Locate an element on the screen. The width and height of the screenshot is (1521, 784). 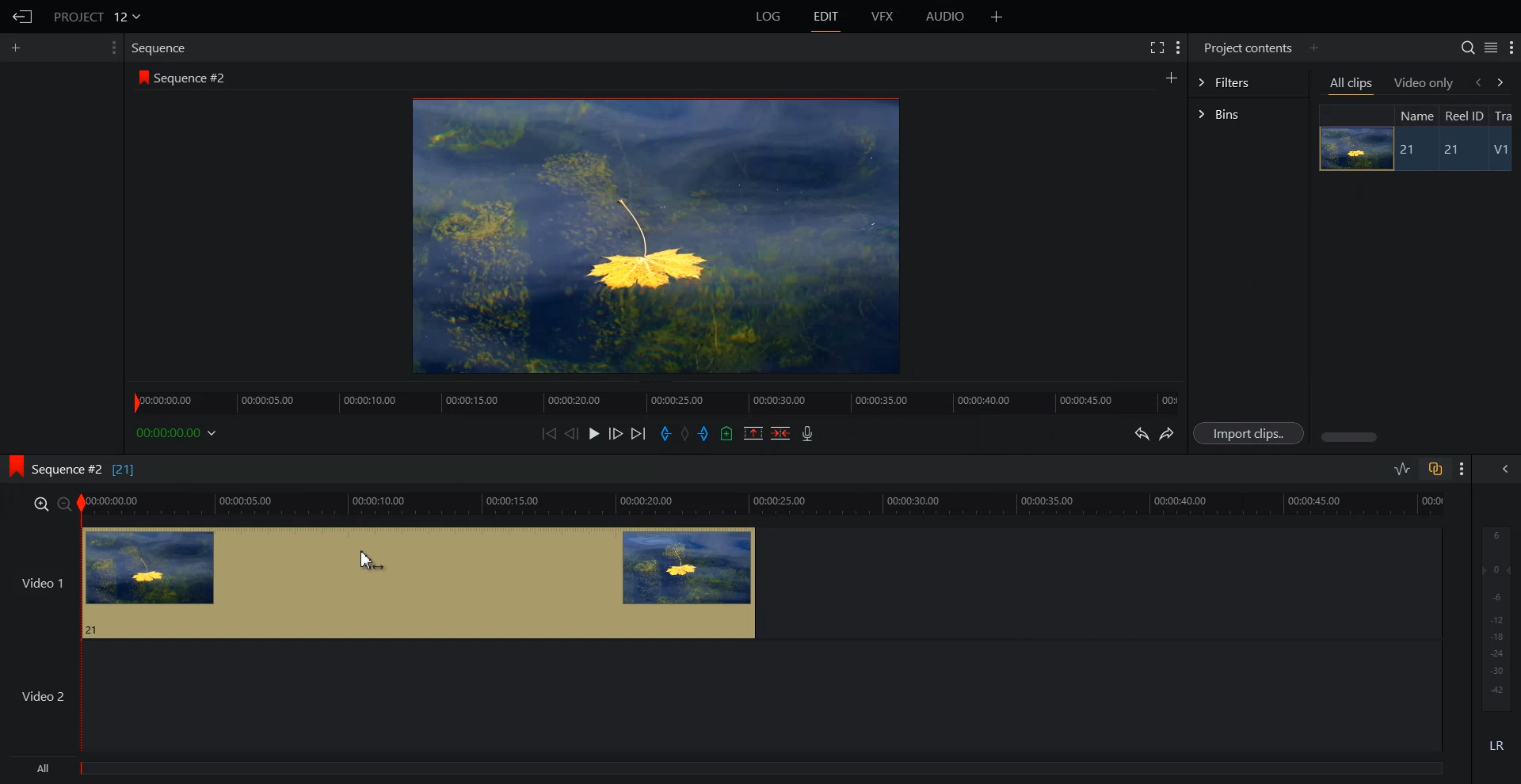
Tra is located at coordinates (1505, 115).